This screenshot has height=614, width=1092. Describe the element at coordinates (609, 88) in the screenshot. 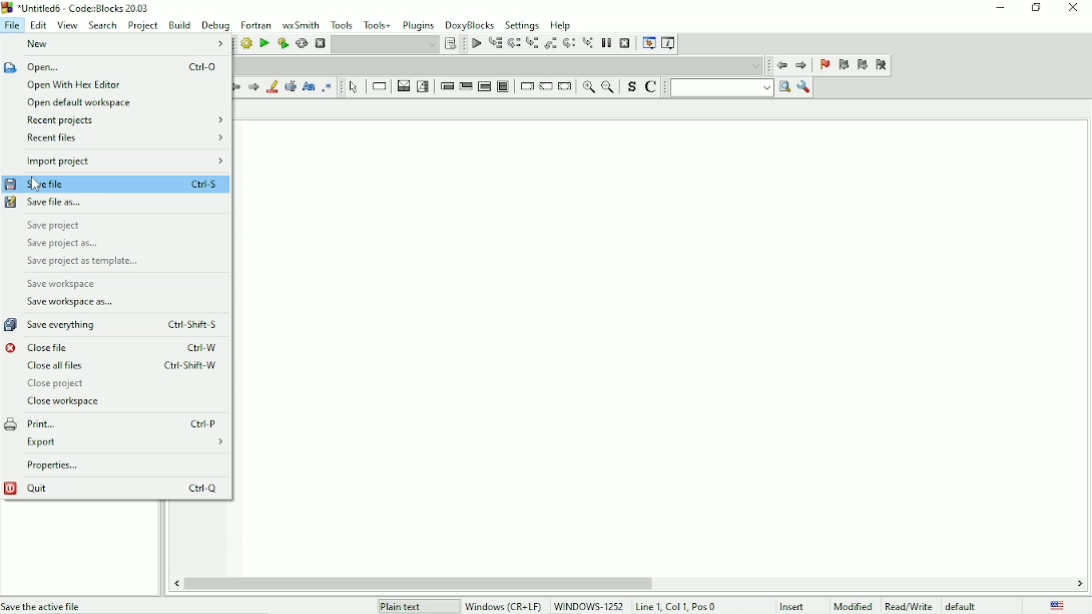

I see `Zoom out` at that location.